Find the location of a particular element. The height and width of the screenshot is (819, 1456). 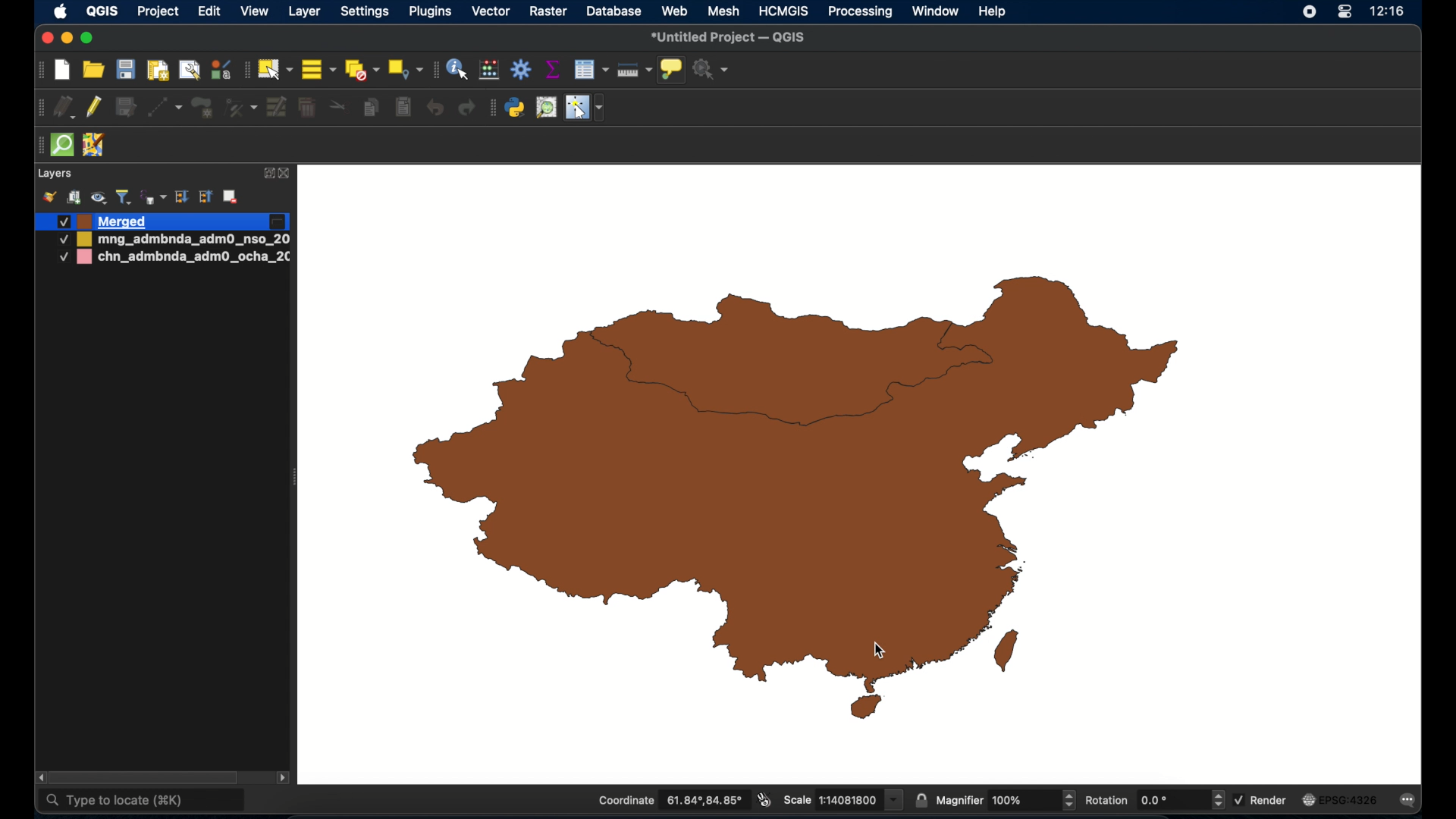

scroll left is located at coordinates (41, 778).